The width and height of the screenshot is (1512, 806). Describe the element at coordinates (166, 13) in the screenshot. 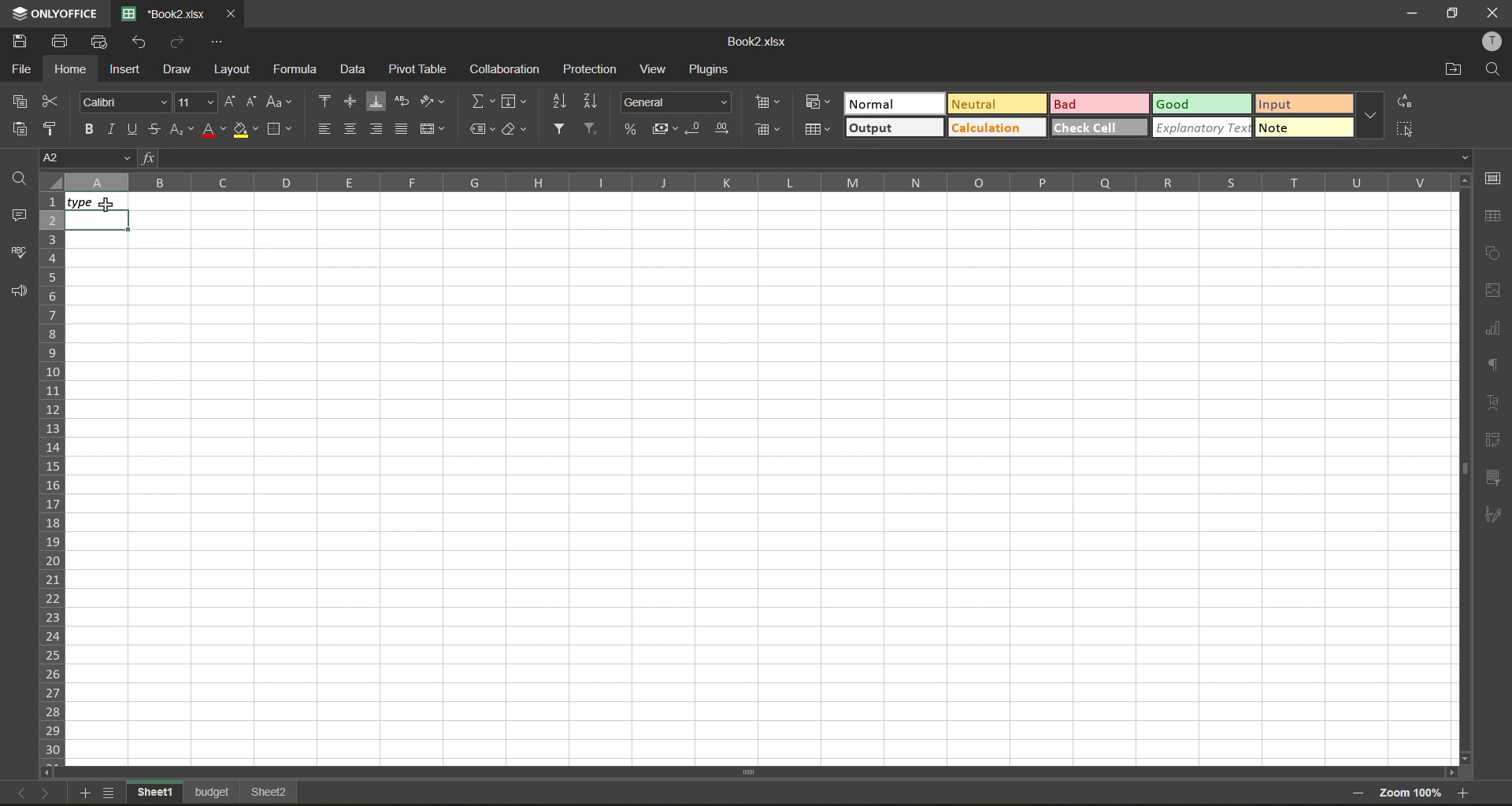

I see `Book2.xlsx` at that location.